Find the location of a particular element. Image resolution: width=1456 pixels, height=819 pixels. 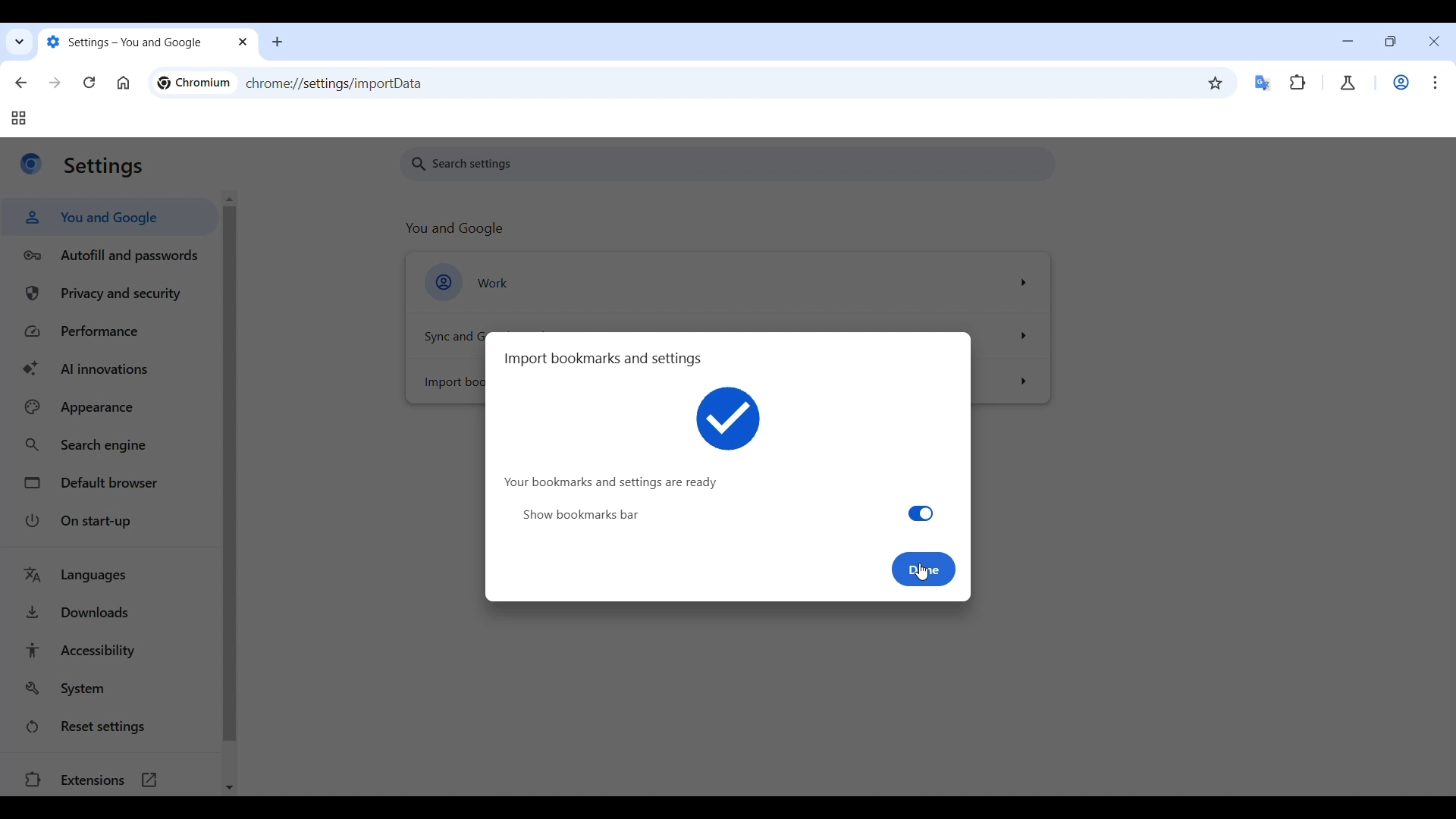

chrome://settings/importdata is located at coordinates (334, 83).